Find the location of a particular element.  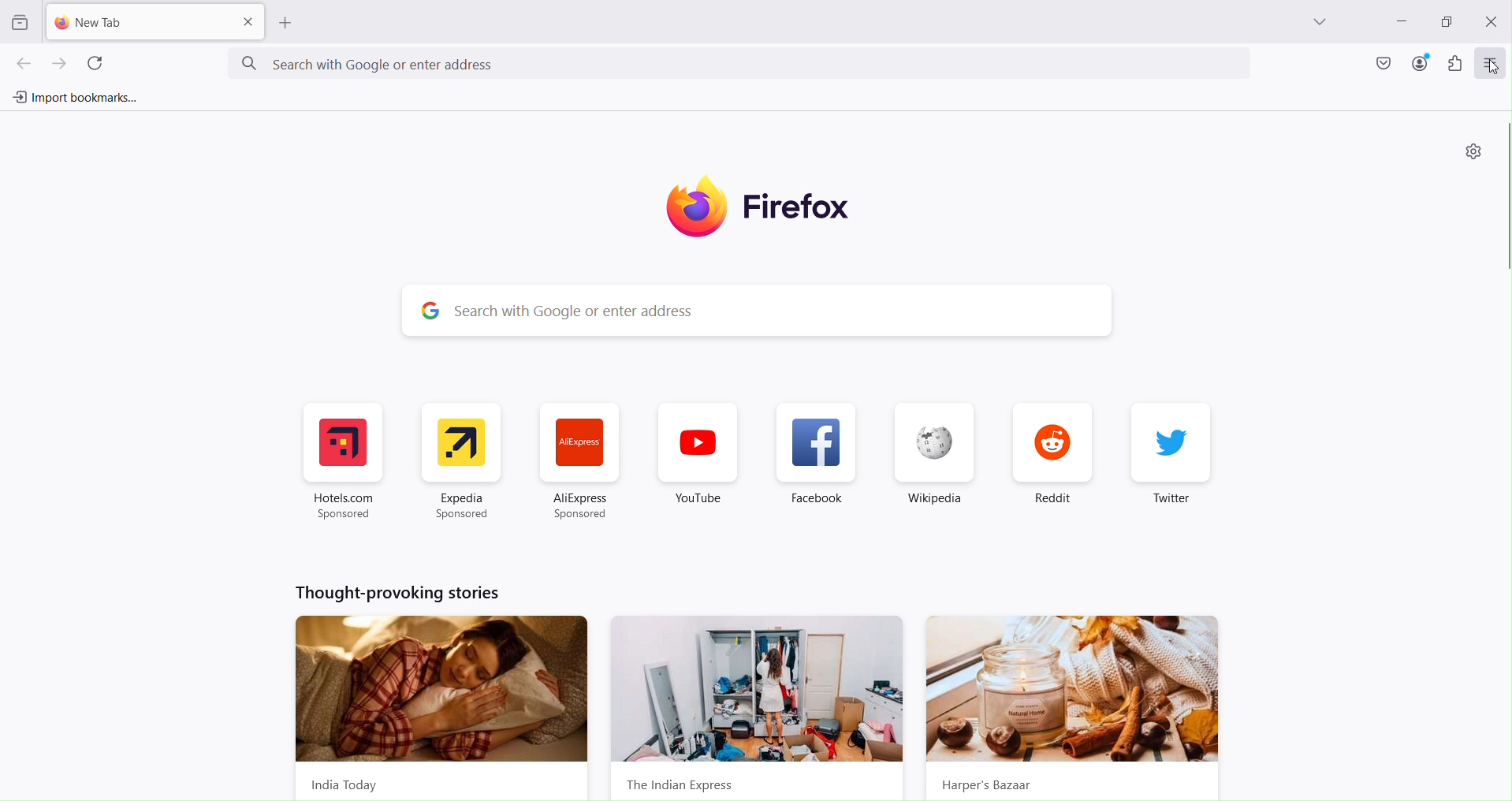

close is located at coordinates (248, 23).